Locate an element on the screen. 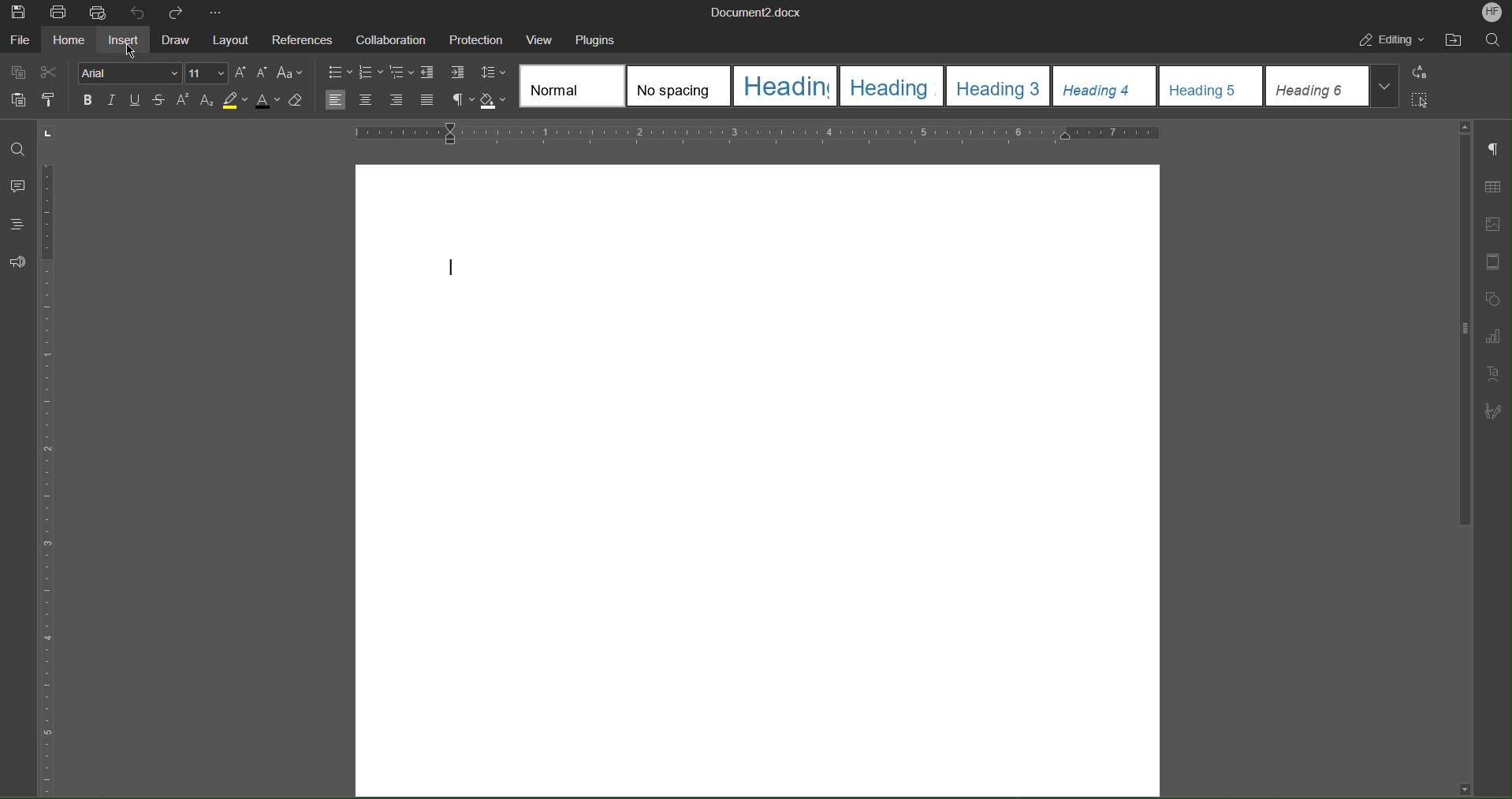 This screenshot has width=1512, height=799. Highlight is located at coordinates (234, 102).